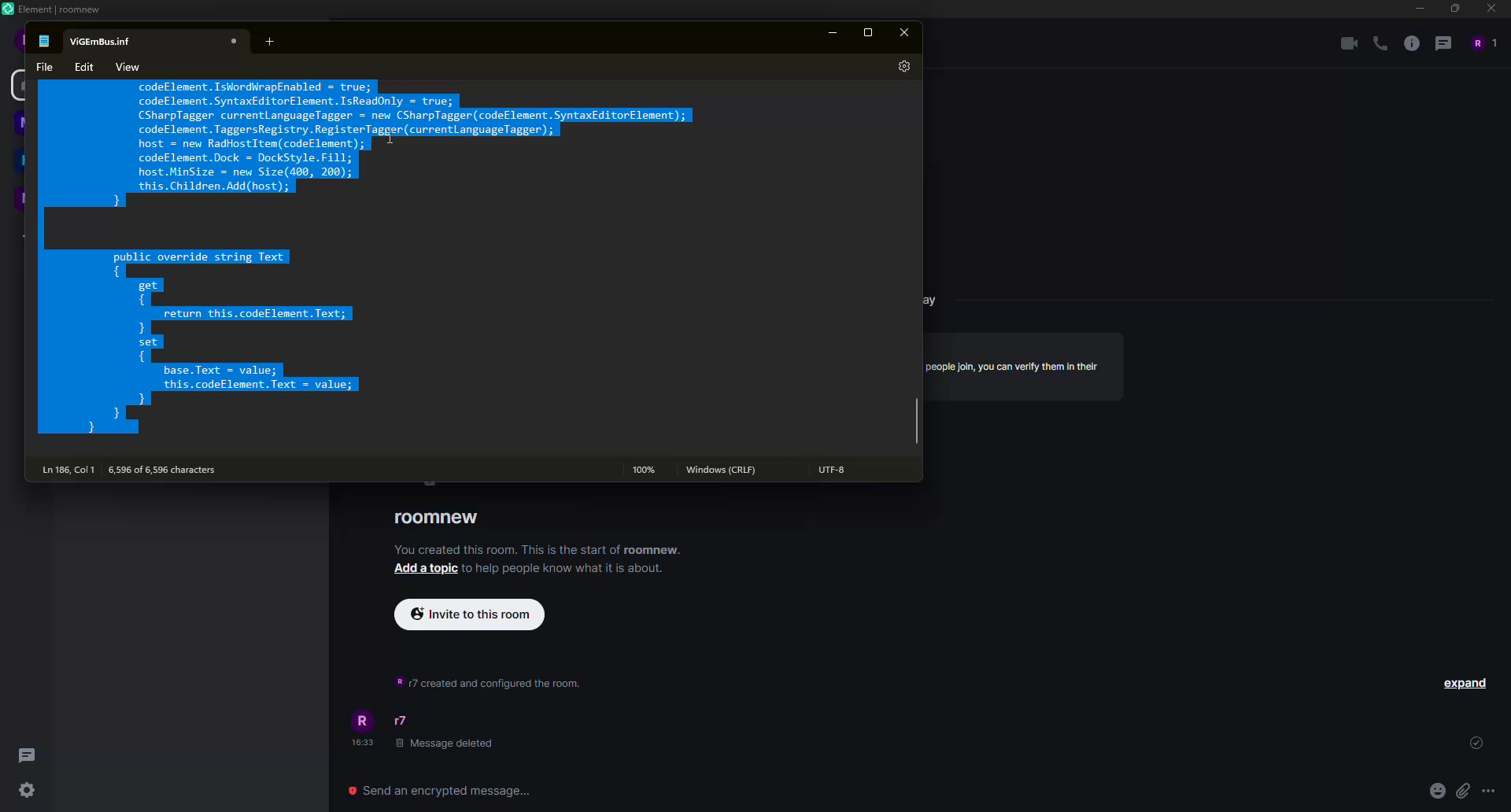 The height and width of the screenshot is (812, 1511). What do you see at coordinates (1488, 789) in the screenshot?
I see `more` at bounding box center [1488, 789].